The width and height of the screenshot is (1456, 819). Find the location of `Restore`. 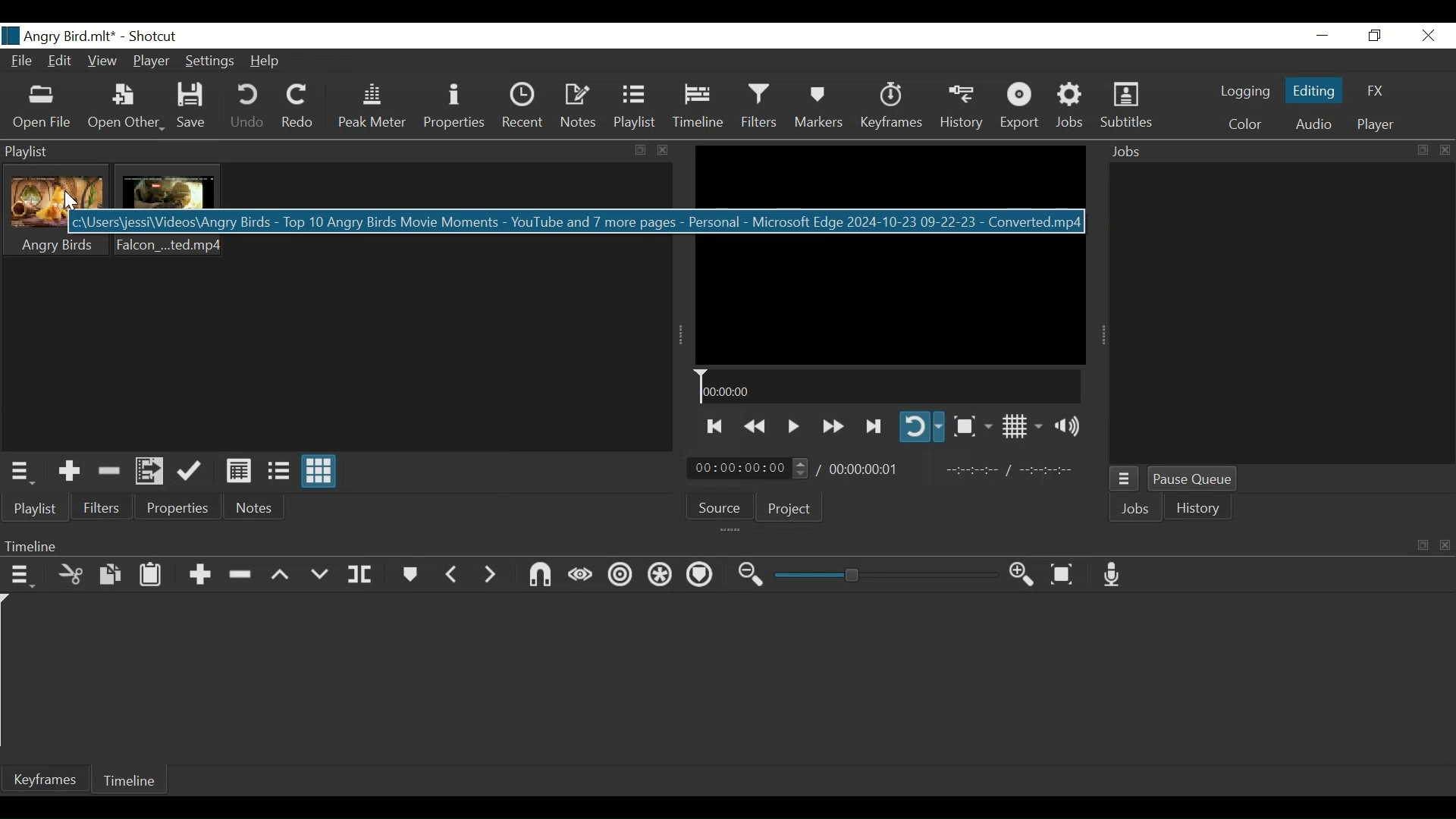

Restore is located at coordinates (1373, 36).